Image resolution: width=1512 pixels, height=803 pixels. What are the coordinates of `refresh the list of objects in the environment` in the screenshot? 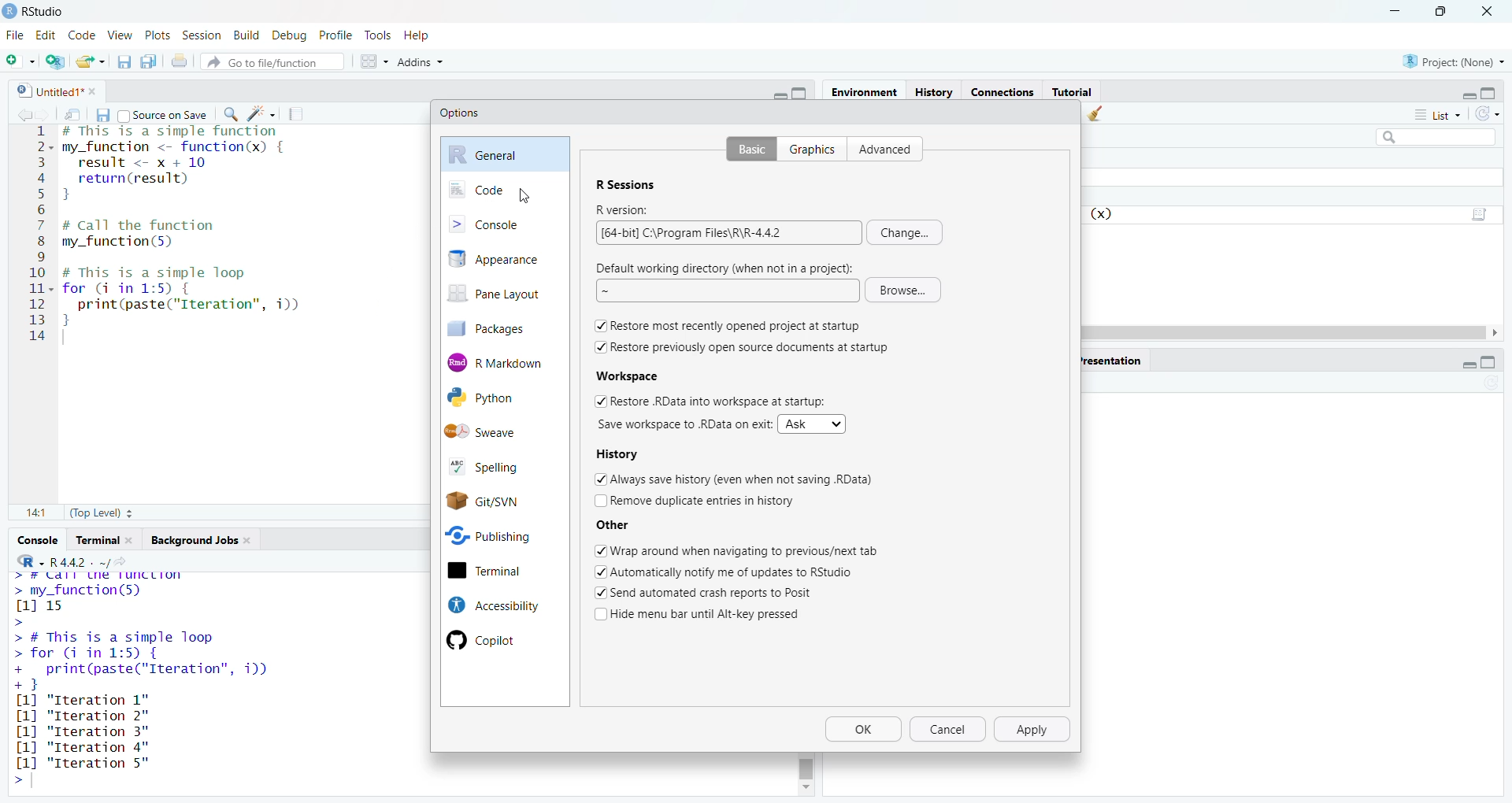 It's located at (1495, 116).